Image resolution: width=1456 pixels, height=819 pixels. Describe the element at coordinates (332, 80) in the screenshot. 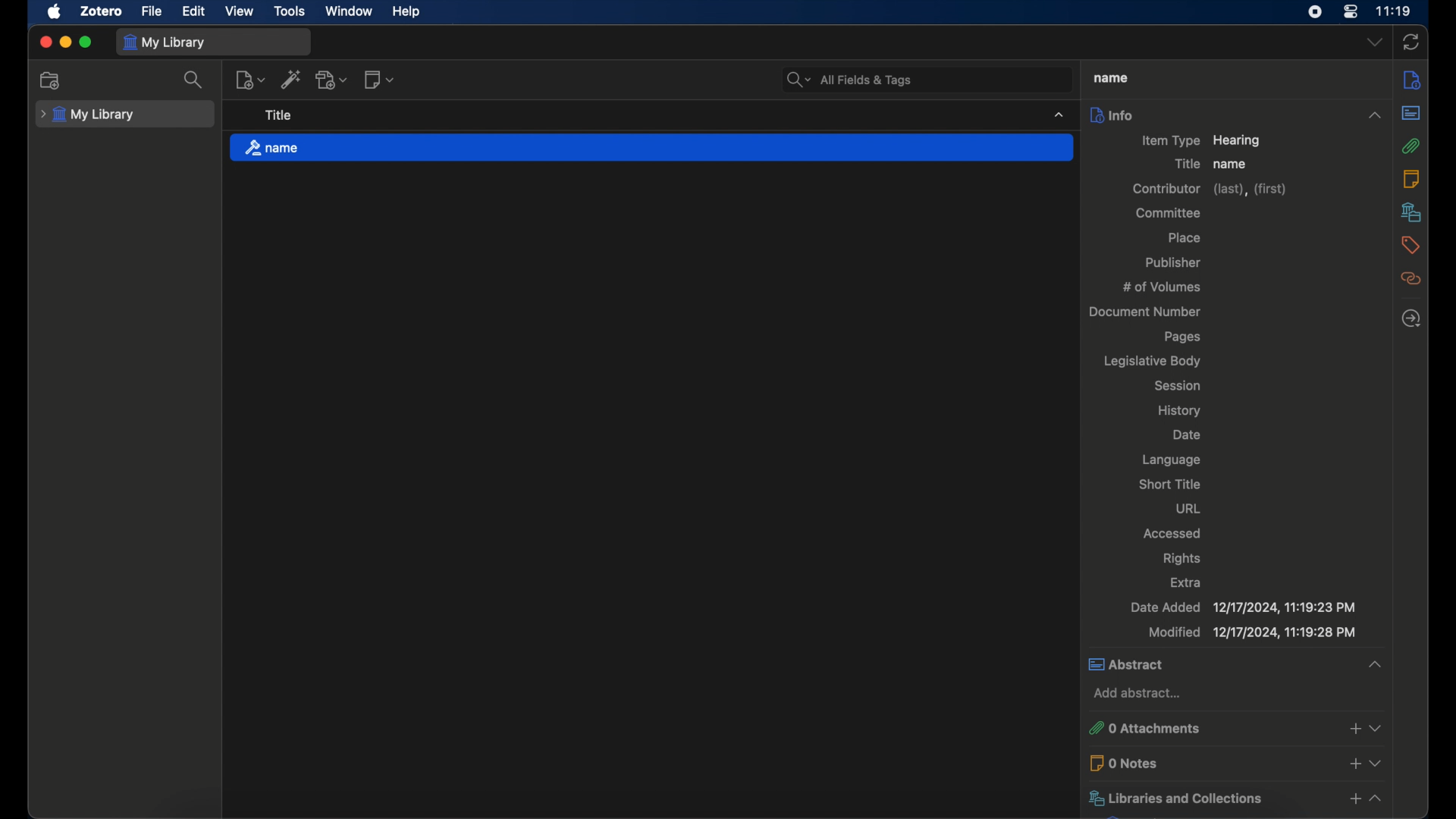

I see `add attachment` at that location.